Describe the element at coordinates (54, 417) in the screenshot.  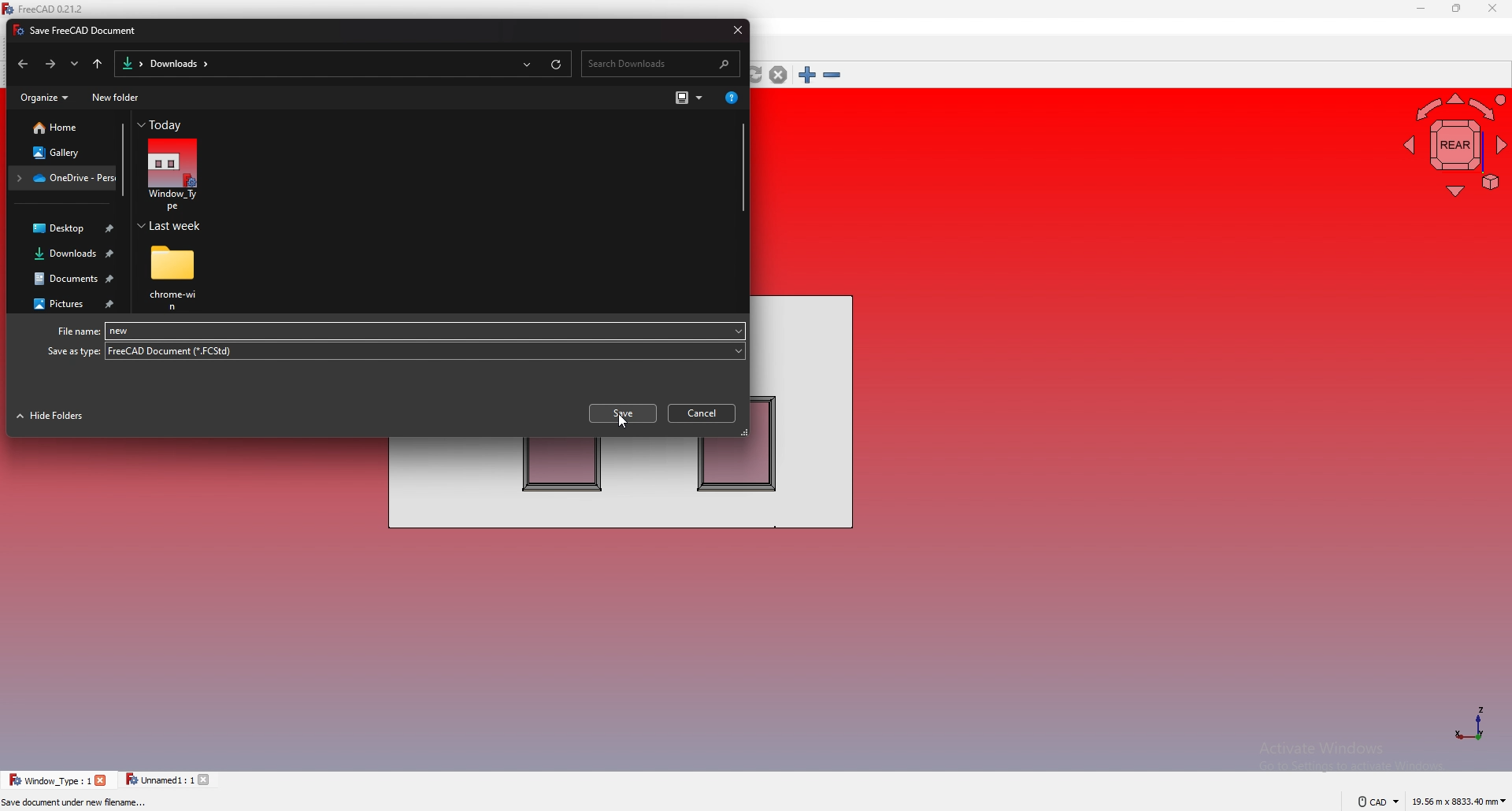
I see `hide folders` at that location.